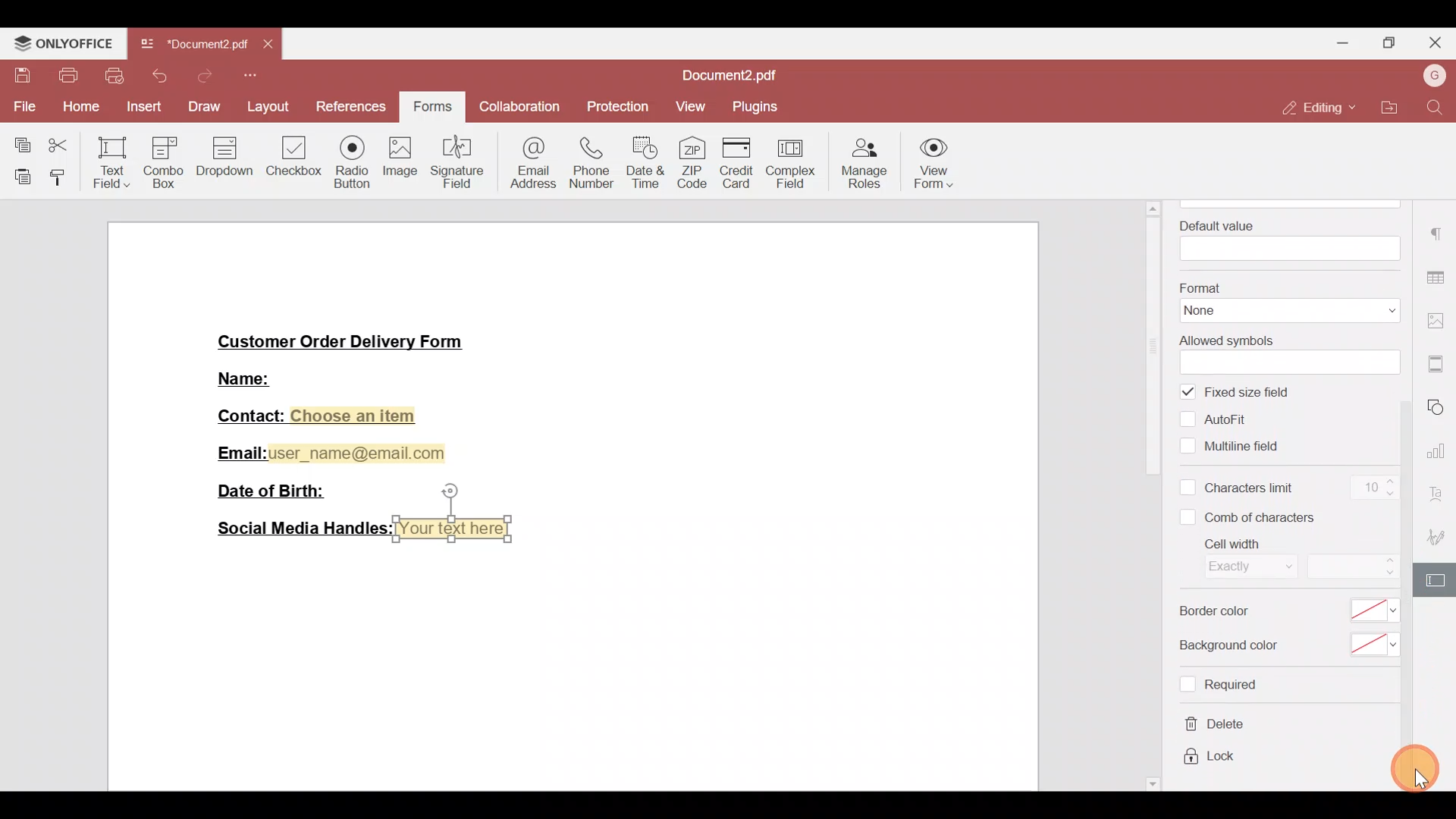  What do you see at coordinates (736, 76) in the screenshot?
I see `Document2.pdf` at bounding box center [736, 76].